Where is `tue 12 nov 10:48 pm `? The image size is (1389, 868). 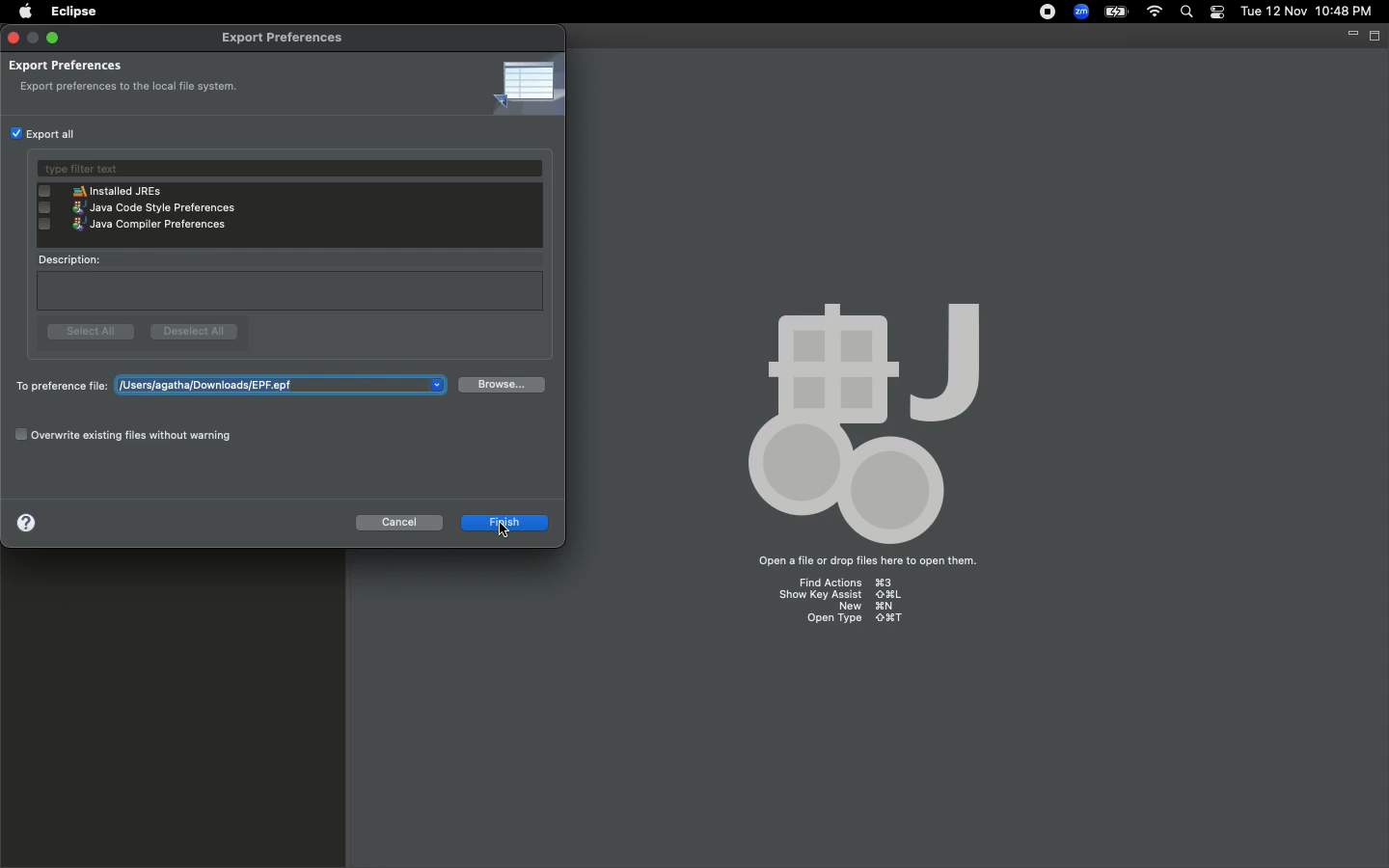
tue 12 nov 10:48 pm  is located at coordinates (1305, 10).